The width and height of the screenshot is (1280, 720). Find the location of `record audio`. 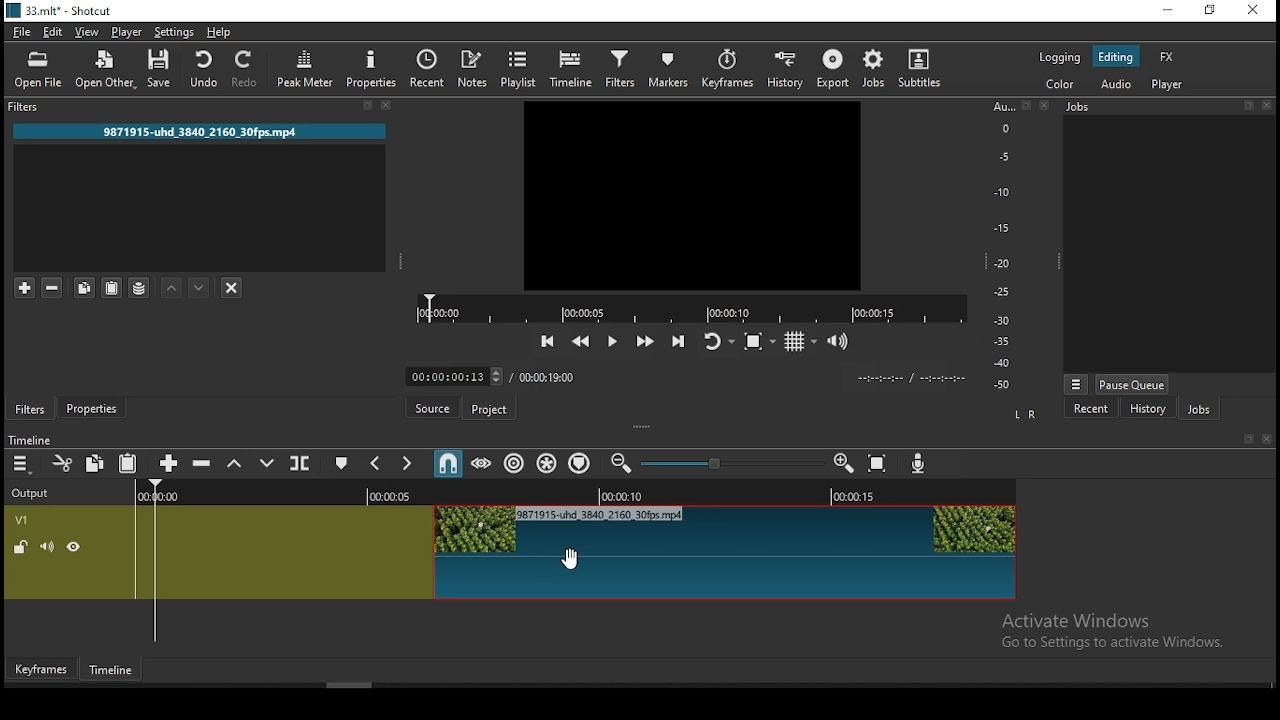

record audio is located at coordinates (922, 468).